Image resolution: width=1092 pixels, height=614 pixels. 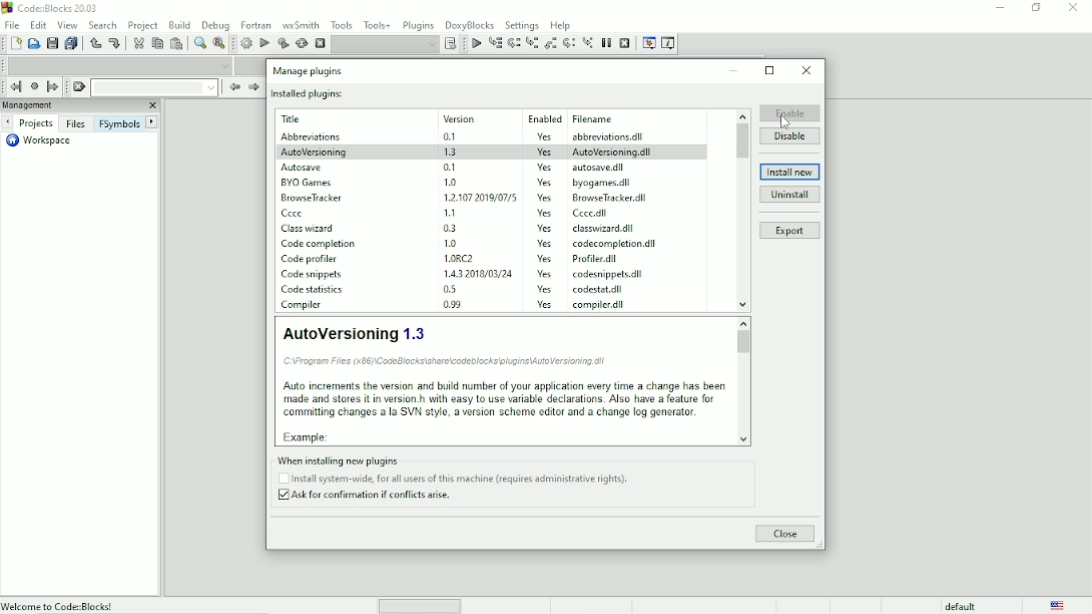 What do you see at coordinates (36, 123) in the screenshot?
I see `Projects` at bounding box center [36, 123].